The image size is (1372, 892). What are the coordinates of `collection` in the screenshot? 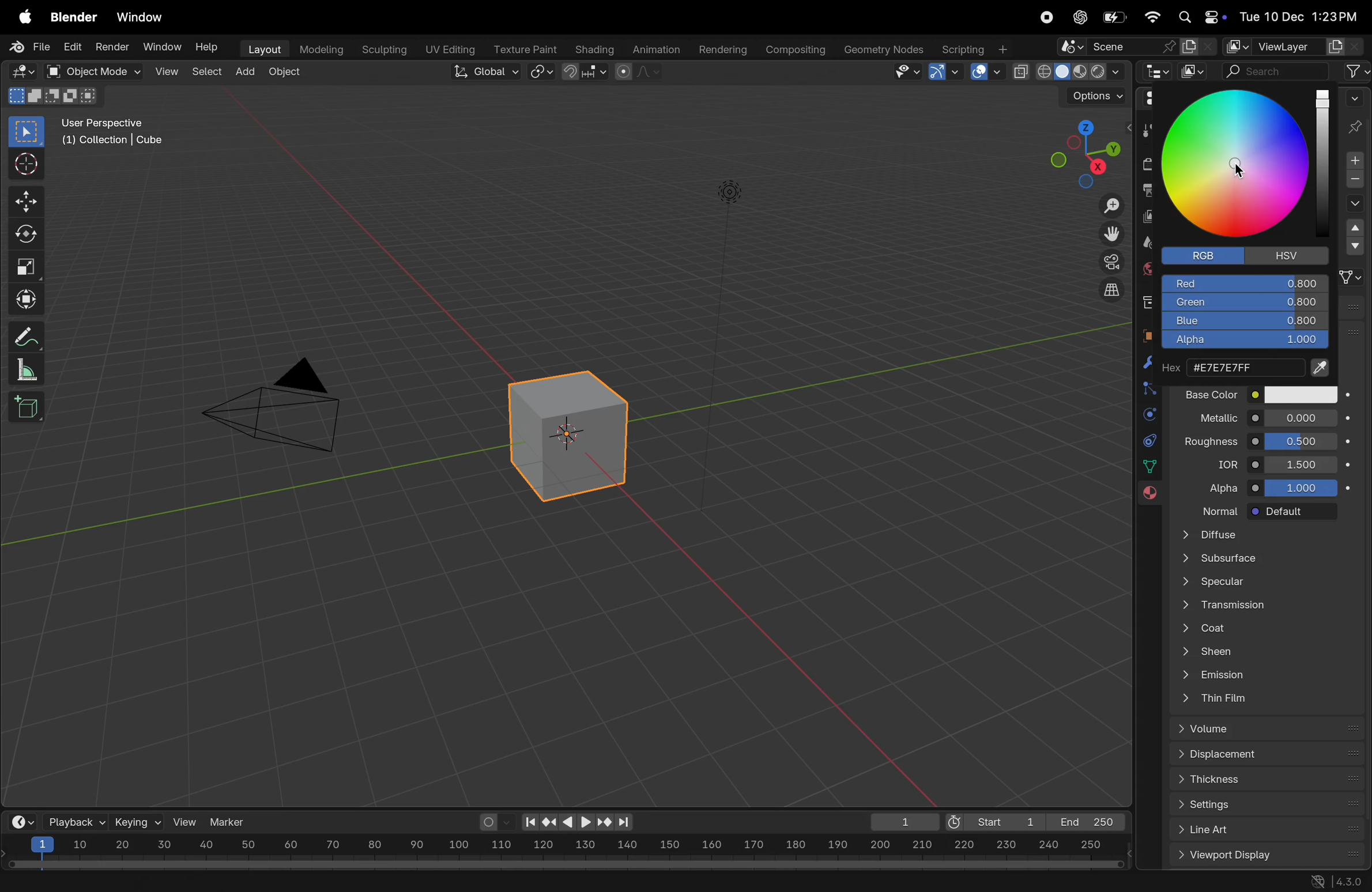 It's located at (1147, 300).